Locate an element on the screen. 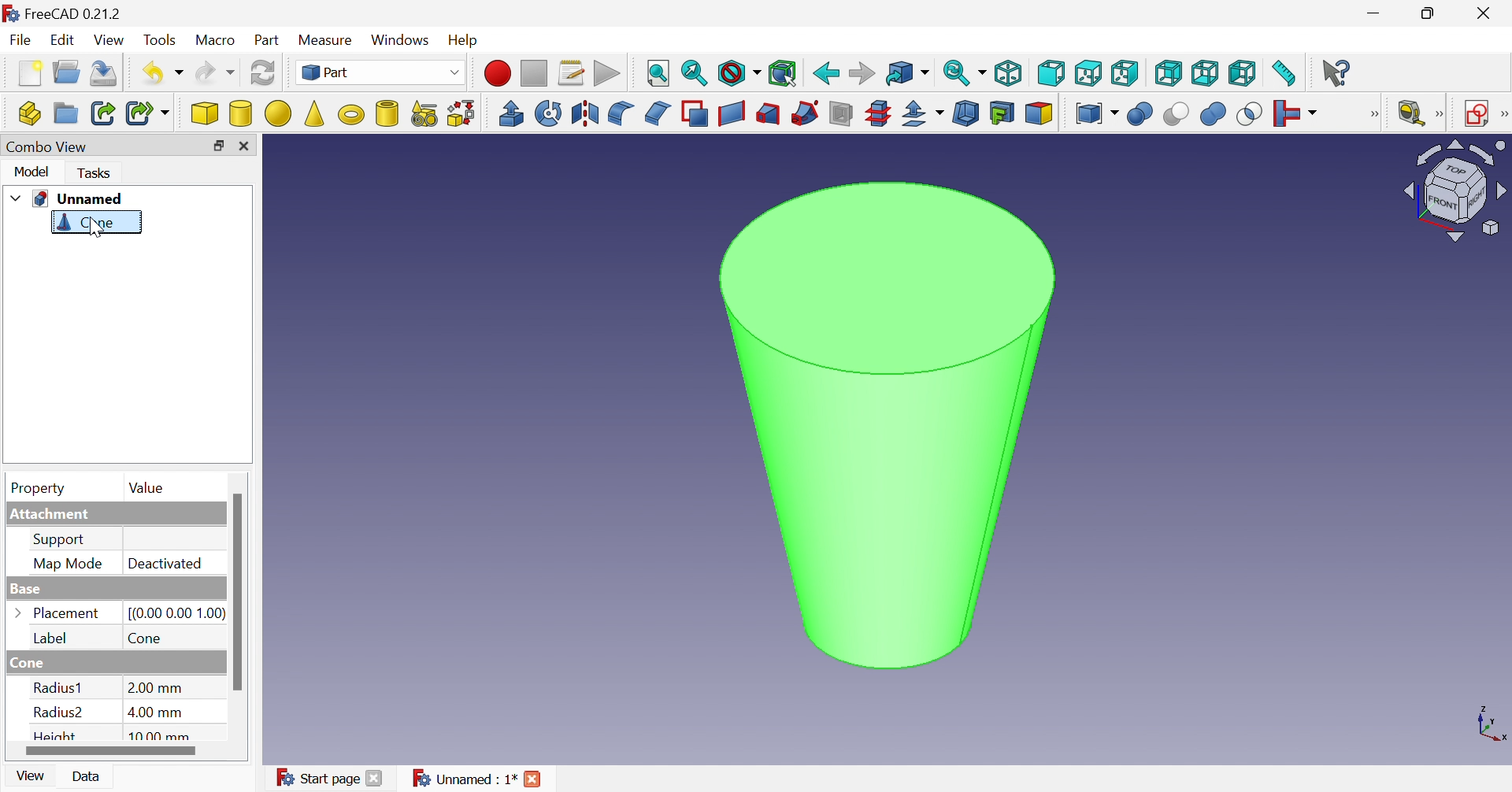  Part is located at coordinates (380, 71).